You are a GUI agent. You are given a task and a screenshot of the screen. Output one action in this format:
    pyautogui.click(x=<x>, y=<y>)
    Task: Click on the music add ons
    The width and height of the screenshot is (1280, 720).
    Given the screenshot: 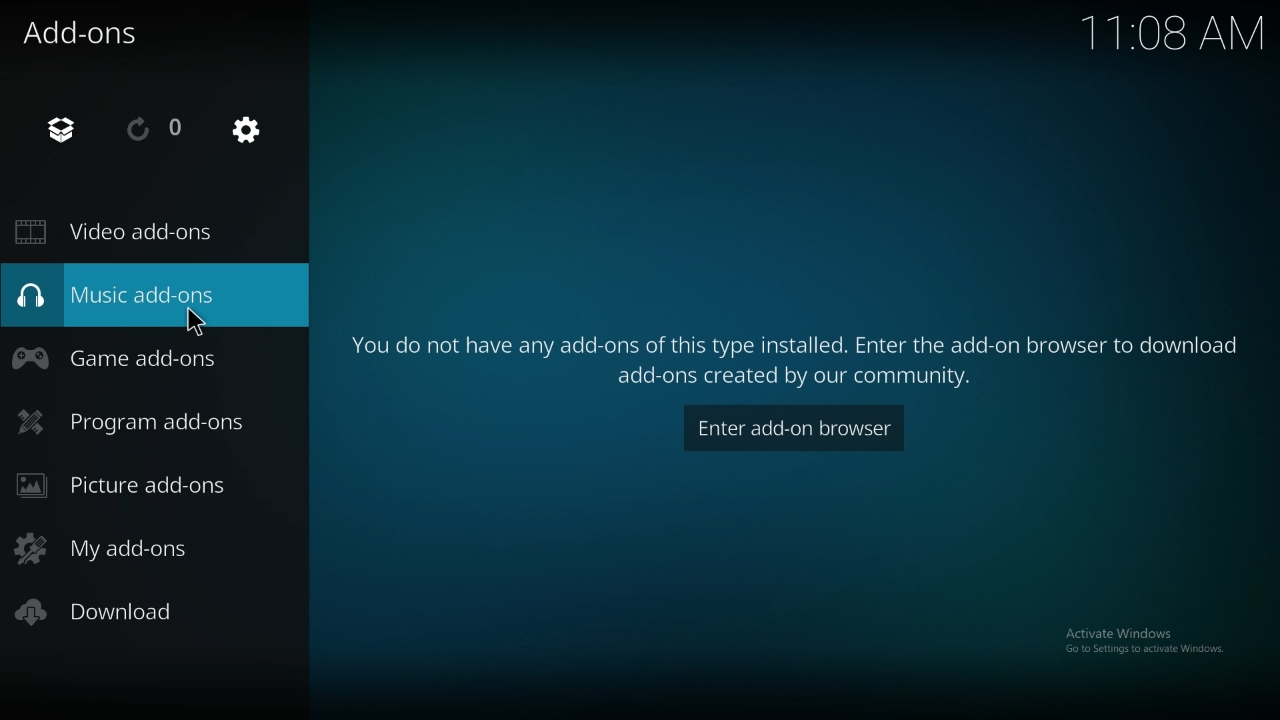 What is the action you would take?
    pyautogui.click(x=137, y=293)
    